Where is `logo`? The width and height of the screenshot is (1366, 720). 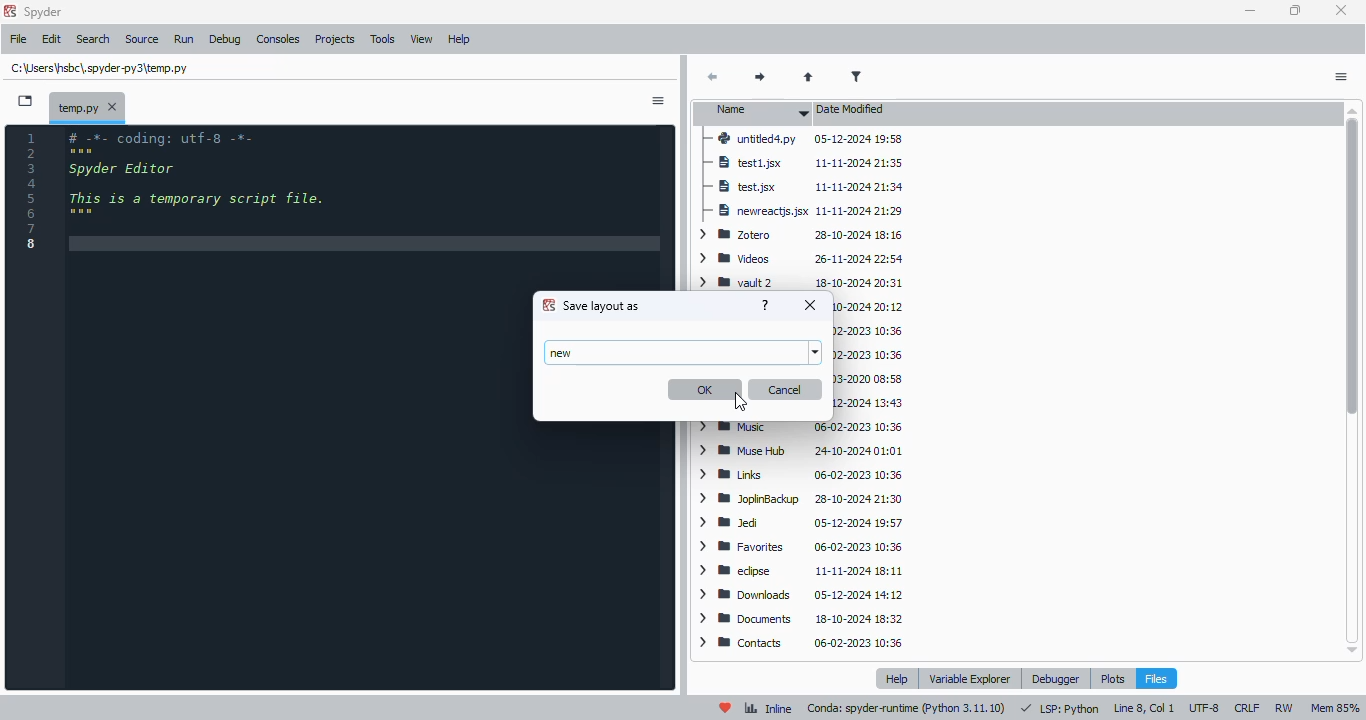 logo is located at coordinates (548, 304).